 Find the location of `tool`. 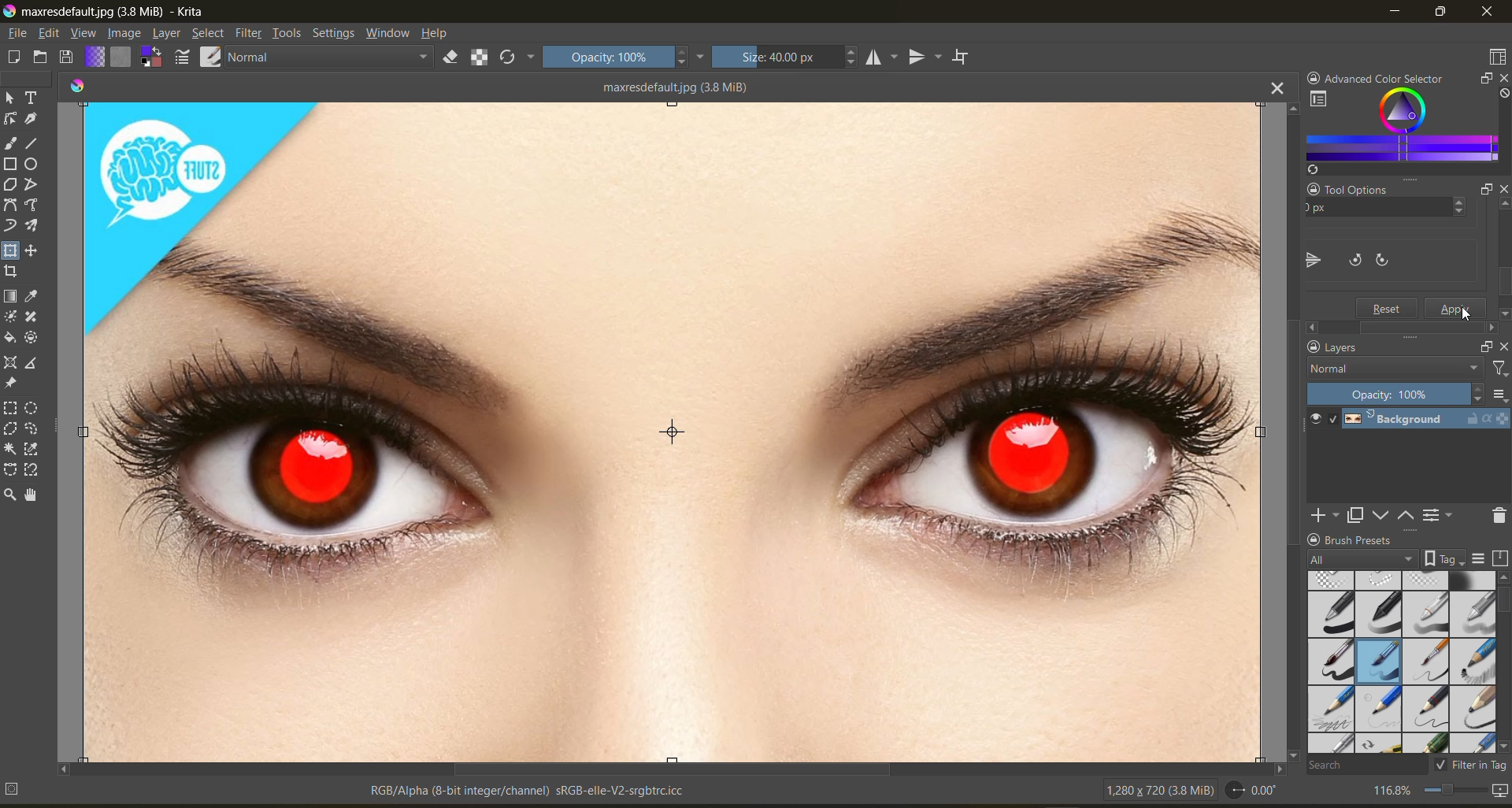

tool is located at coordinates (31, 250).